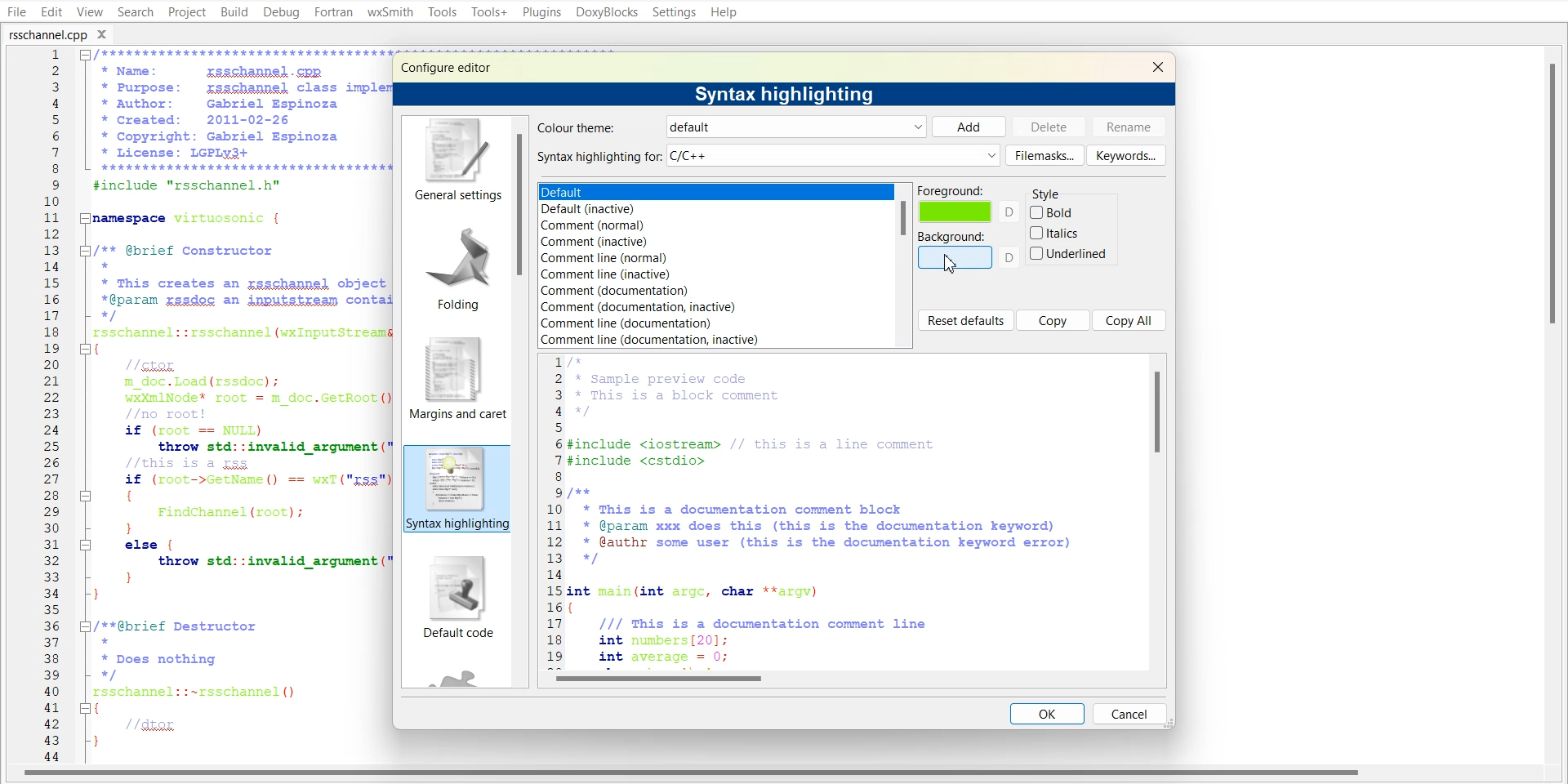 The height and width of the screenshot is (784, 1568). Describe the element at coordinates (522, 402) in the screenshot. I see `Vertical scroll bar` at that location.